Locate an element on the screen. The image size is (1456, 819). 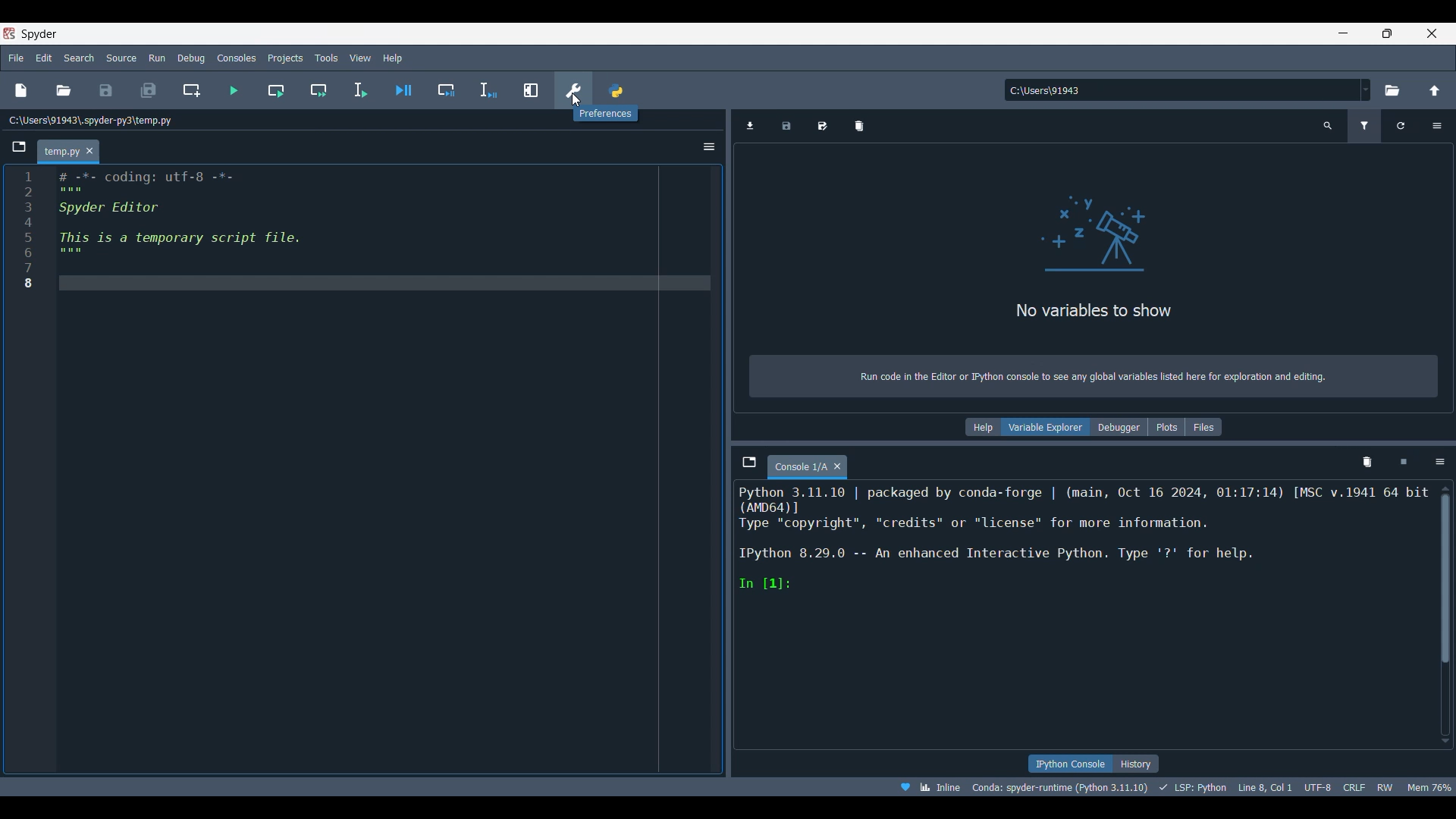
Options is located at coordinates (1436, 126).